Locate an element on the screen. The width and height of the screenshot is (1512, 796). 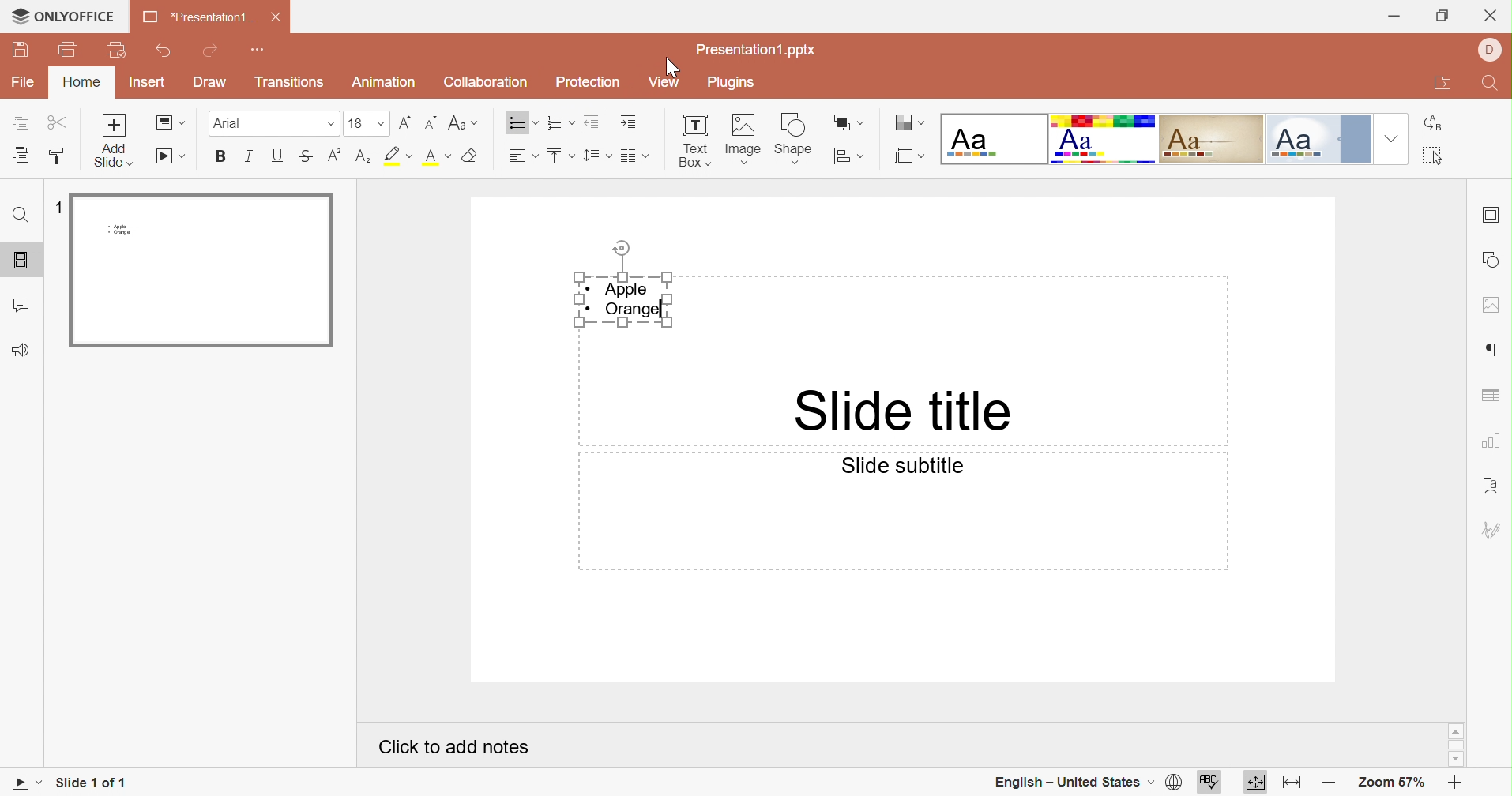
Scroll Down is located at coordinates (1460, 760).